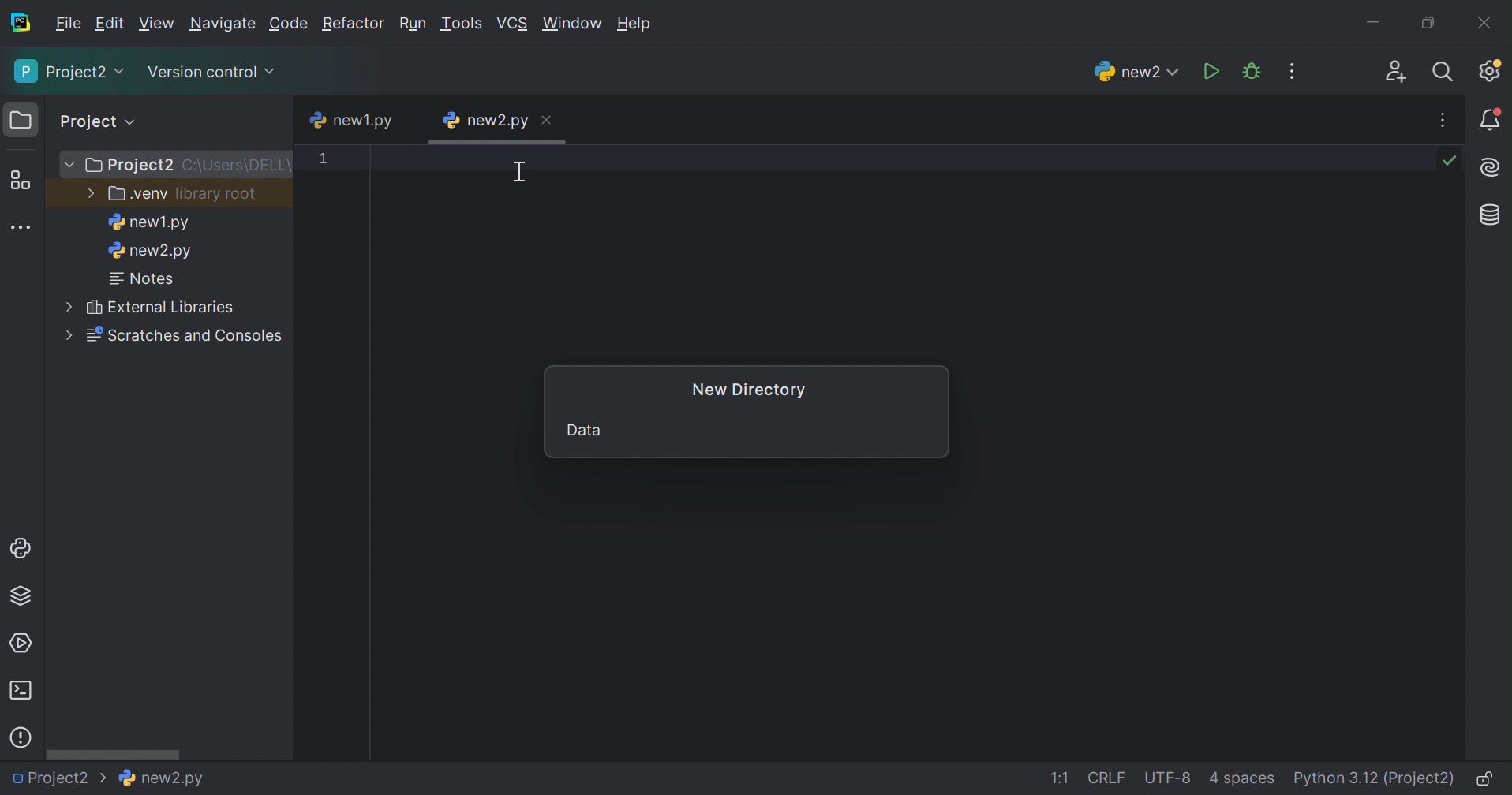 This screenshot has width=1512, height=795. I want to click on Make file read-only, so click(1490, 779).